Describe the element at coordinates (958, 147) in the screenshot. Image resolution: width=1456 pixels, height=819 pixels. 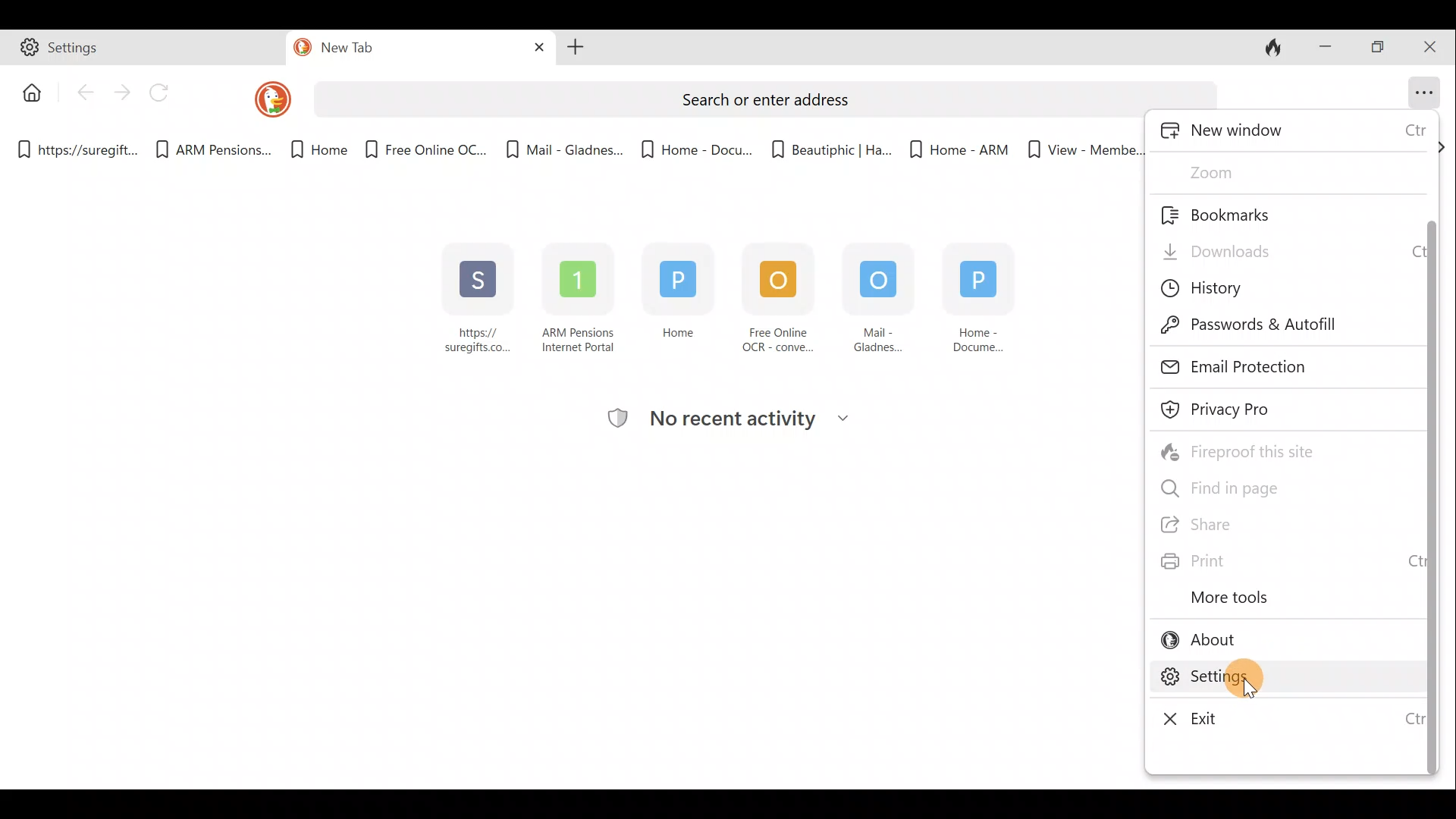
I see `Bookmark 8` at that location.